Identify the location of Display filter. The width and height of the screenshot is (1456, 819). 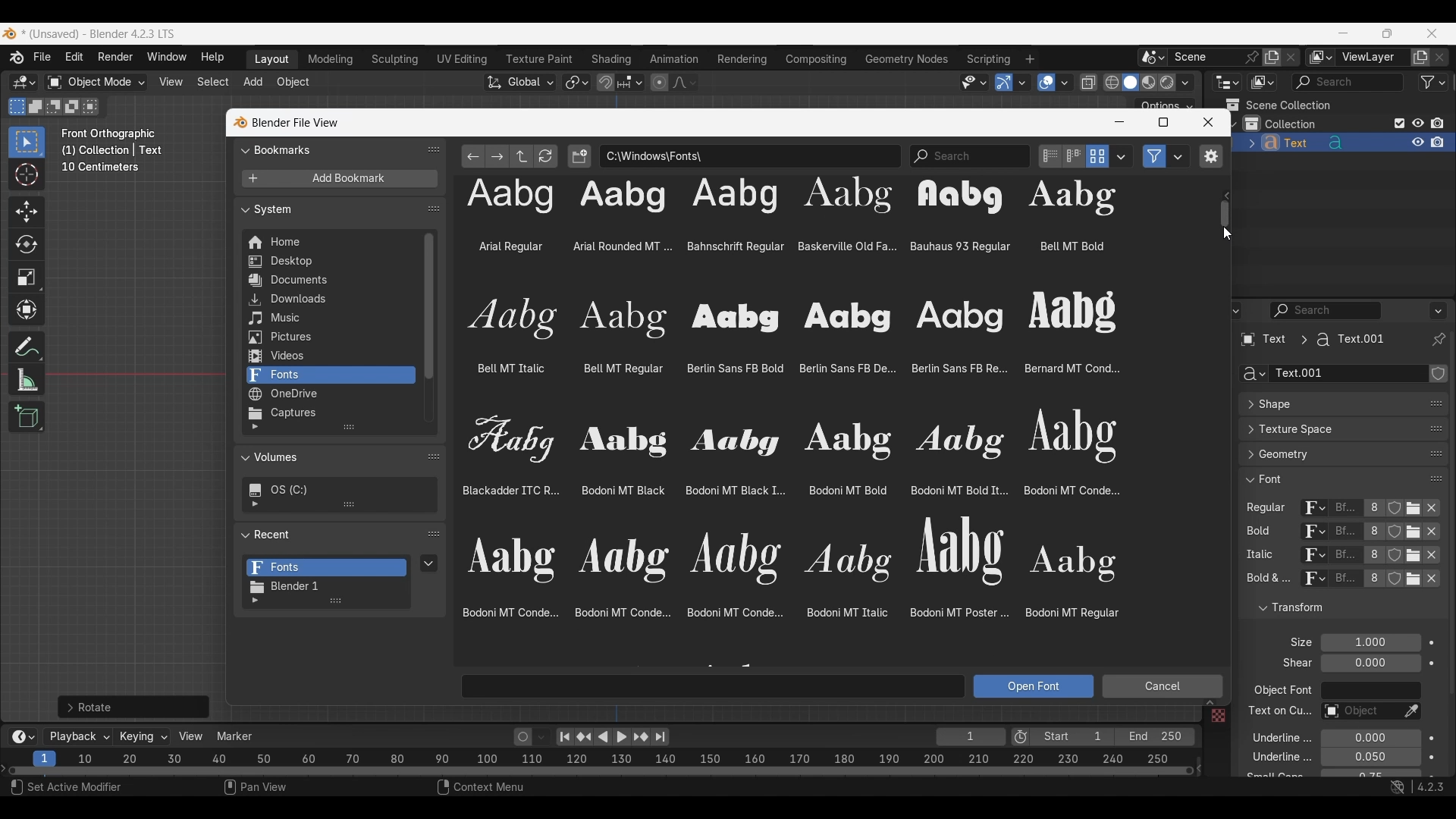
(1348, 82).